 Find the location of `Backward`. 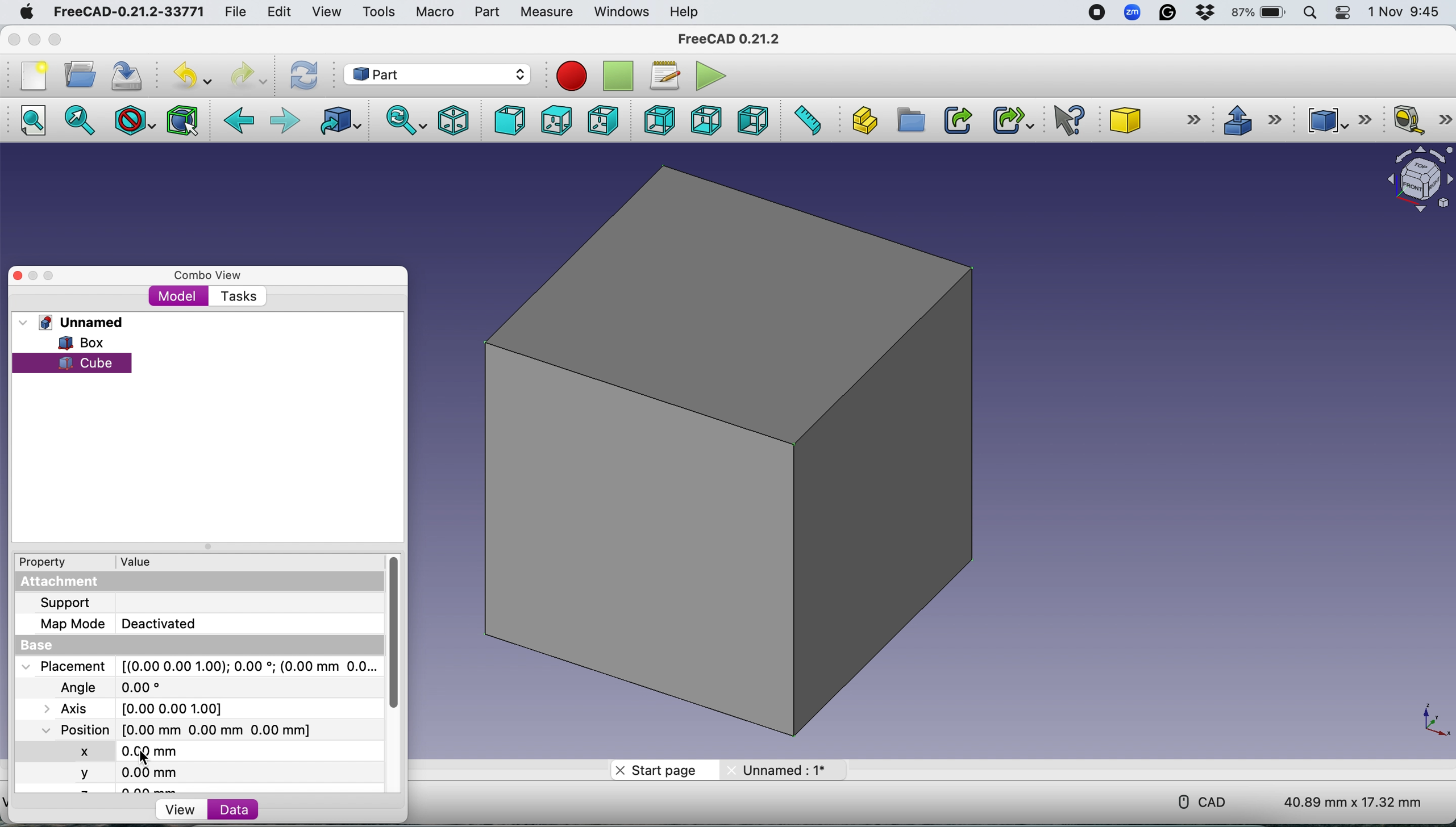

Backward is located at coordinates (240, 122).